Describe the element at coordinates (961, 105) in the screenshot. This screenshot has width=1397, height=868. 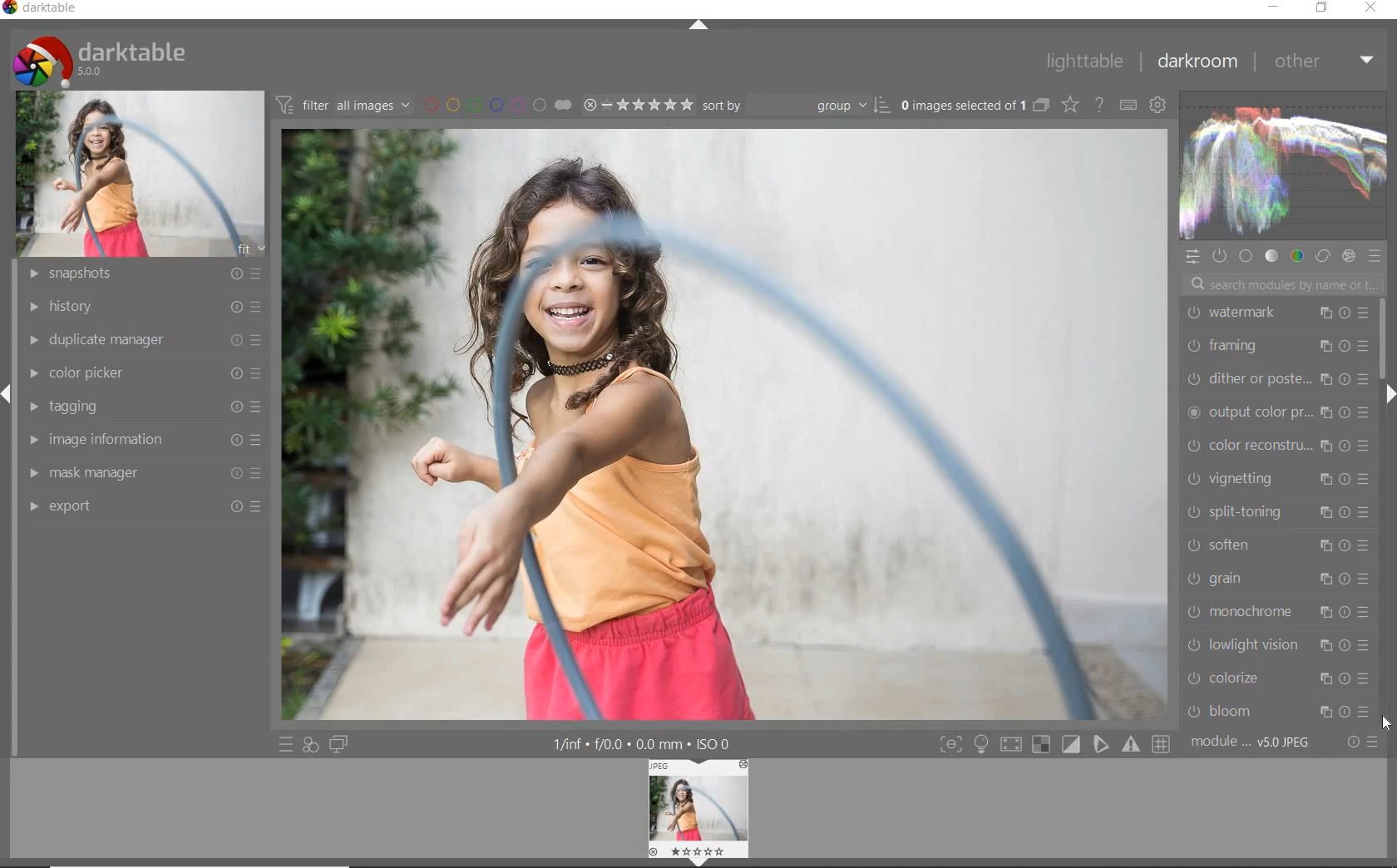
I see `selected images` at that location.